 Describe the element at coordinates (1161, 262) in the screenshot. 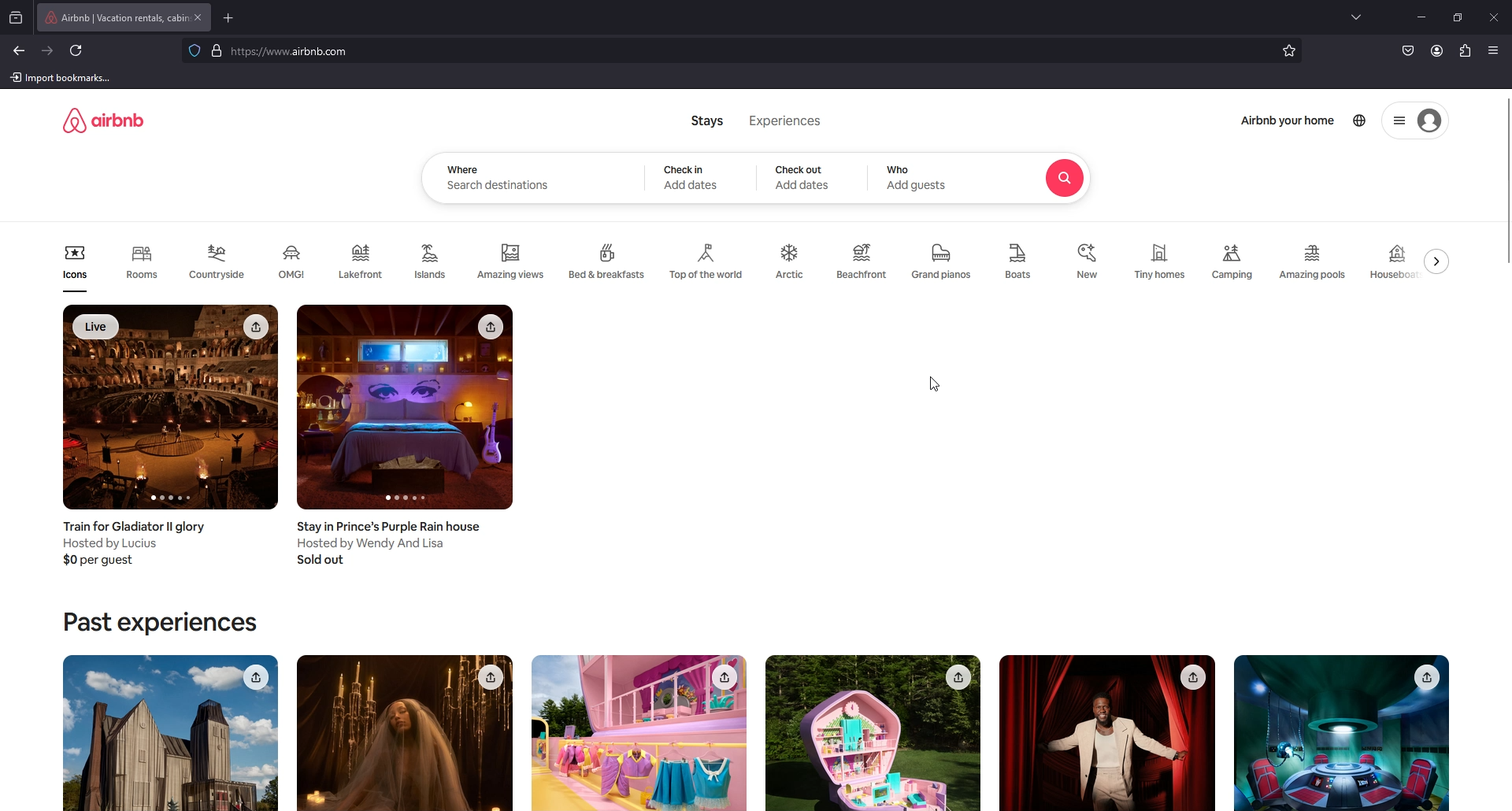

I see `tiny homes` at that location.